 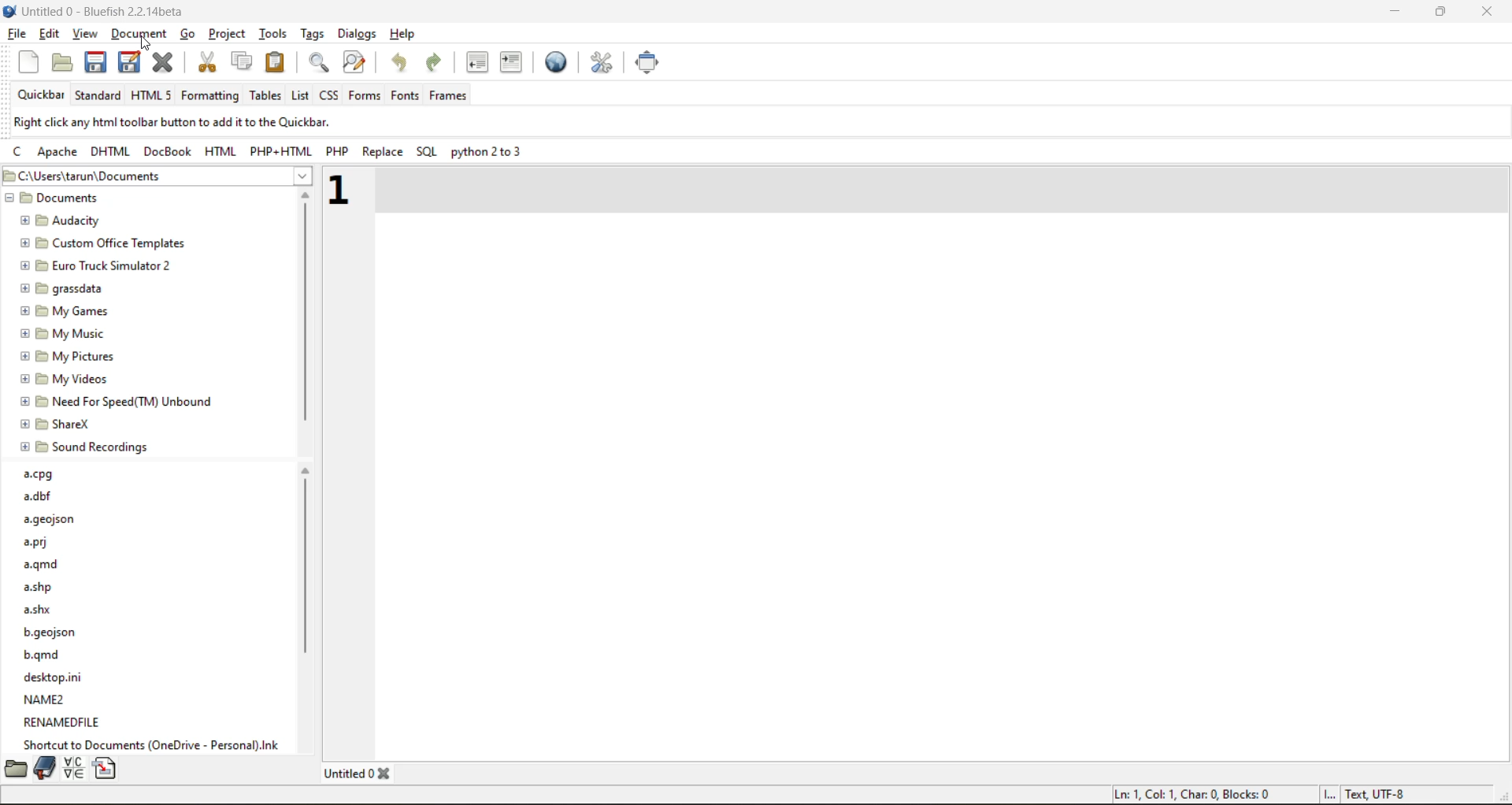 What do you see at coordinates (39, 476) in the screenshot?
I see `a.cpg` at bounding box center [39, 476].